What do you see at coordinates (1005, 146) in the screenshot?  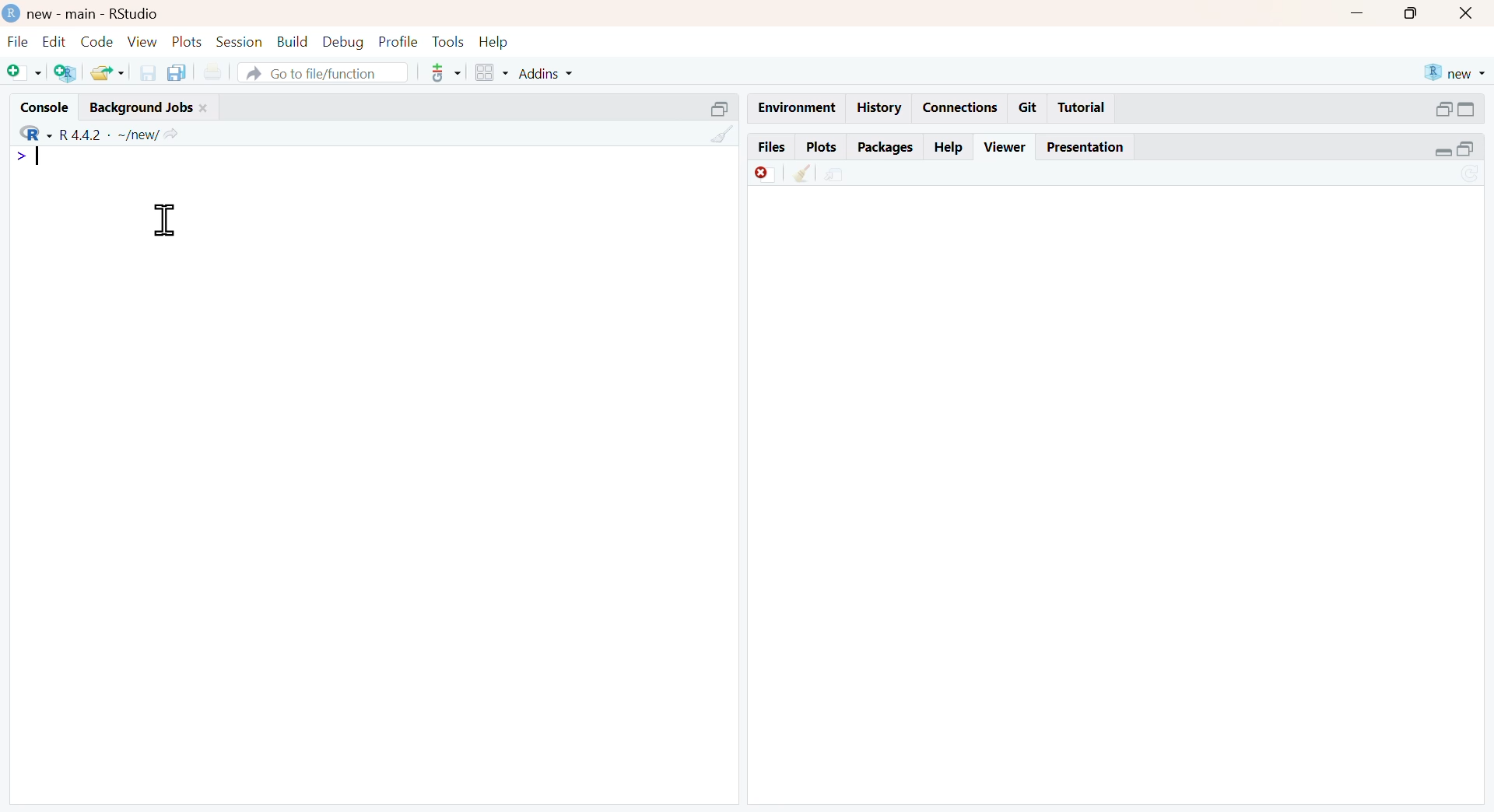 I see `Viewer` at bounding box center [1005, 146].